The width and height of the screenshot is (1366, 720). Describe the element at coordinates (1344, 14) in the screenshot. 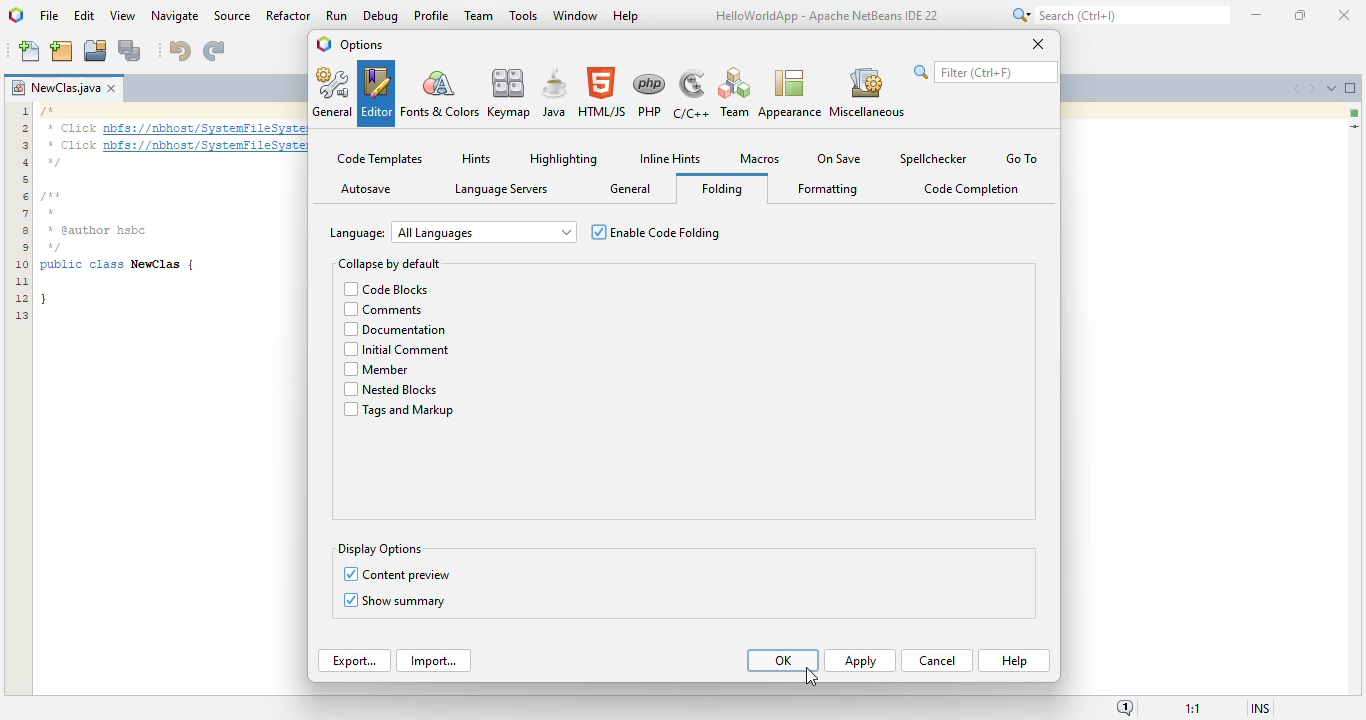

I see `close` at that location.